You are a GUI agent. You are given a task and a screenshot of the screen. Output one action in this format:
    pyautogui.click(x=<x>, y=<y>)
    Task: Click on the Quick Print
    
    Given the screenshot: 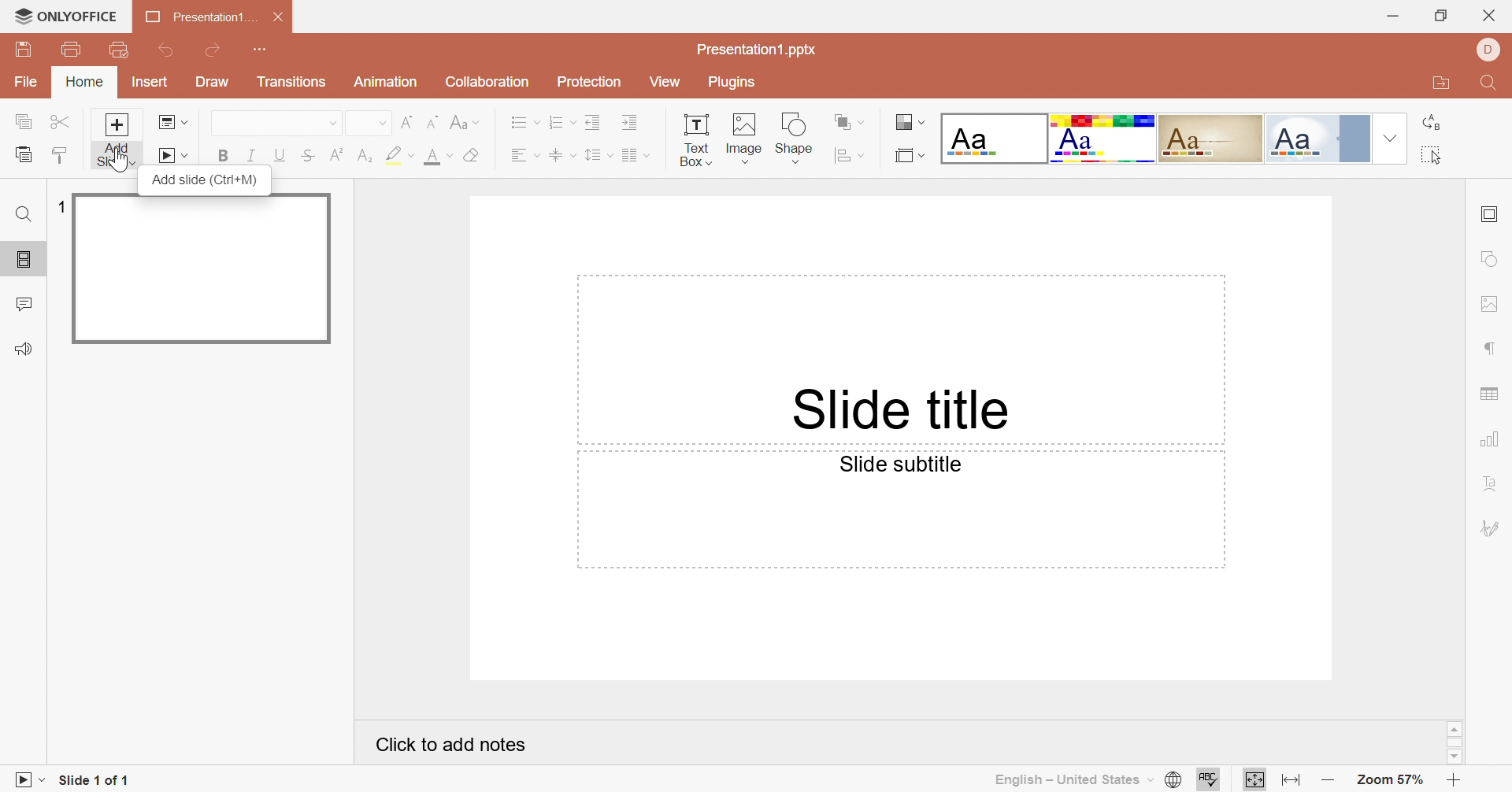 What is the action you would take?
    pyautogui.click(x=119, y=49)
    